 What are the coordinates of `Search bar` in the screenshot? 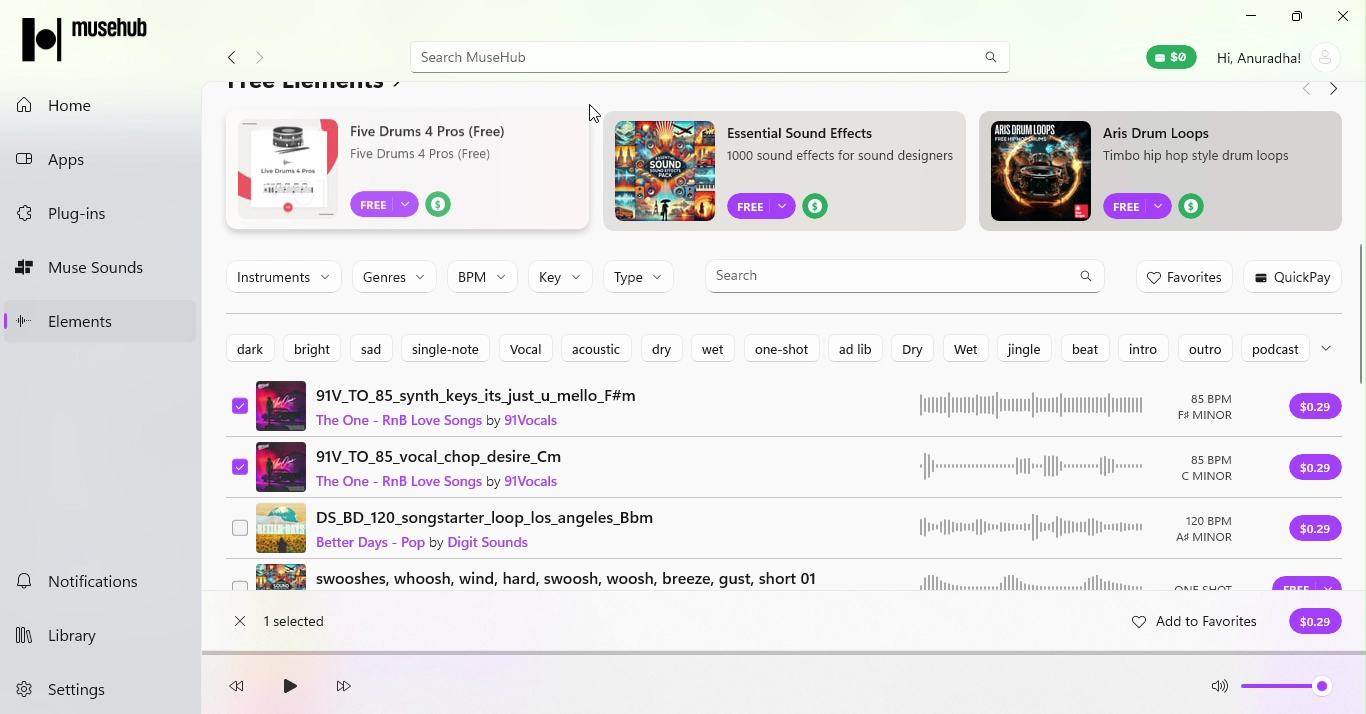 It's located at (883, 274).